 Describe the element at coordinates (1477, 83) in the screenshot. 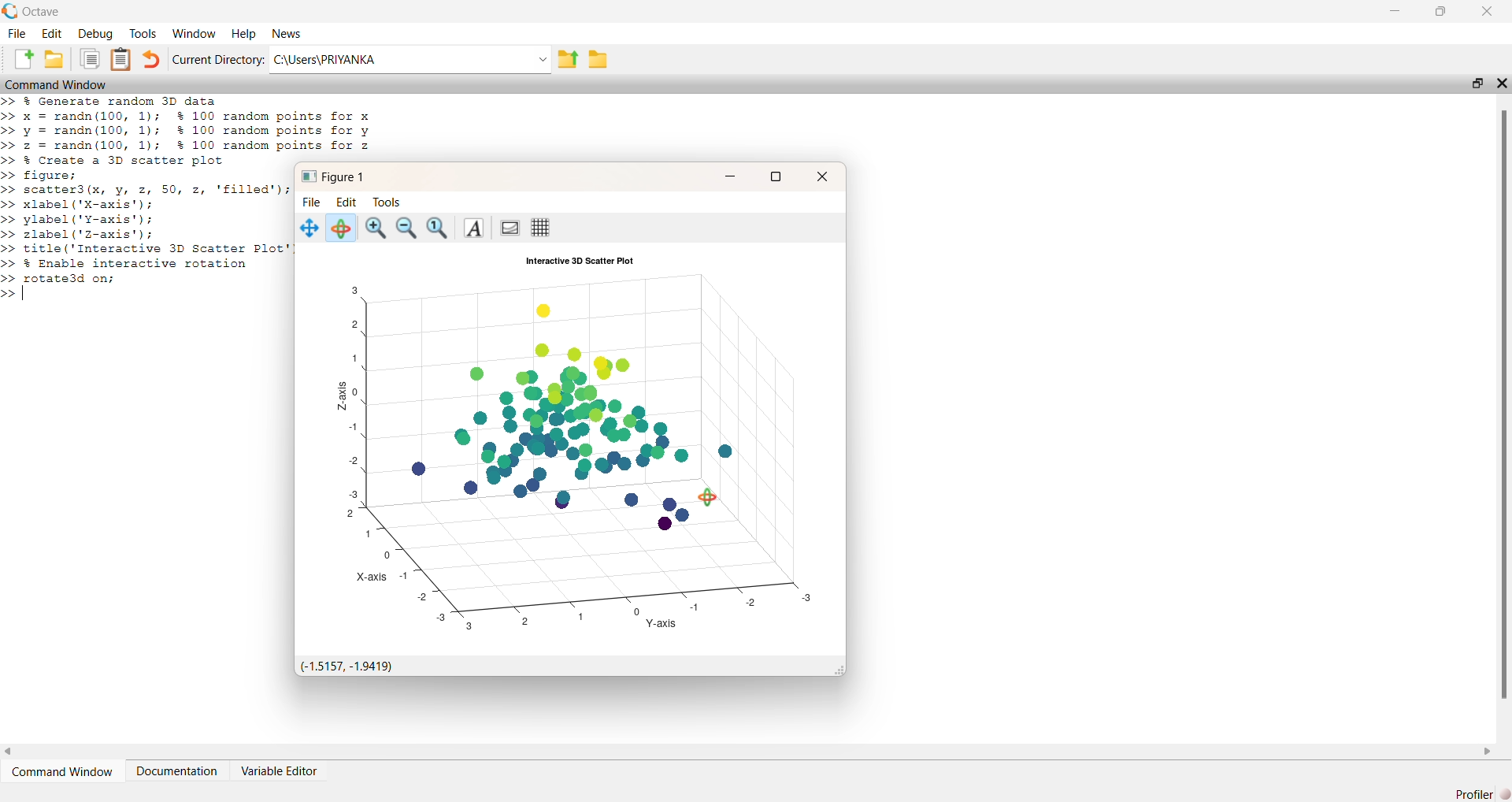

I see `resize` at that location.